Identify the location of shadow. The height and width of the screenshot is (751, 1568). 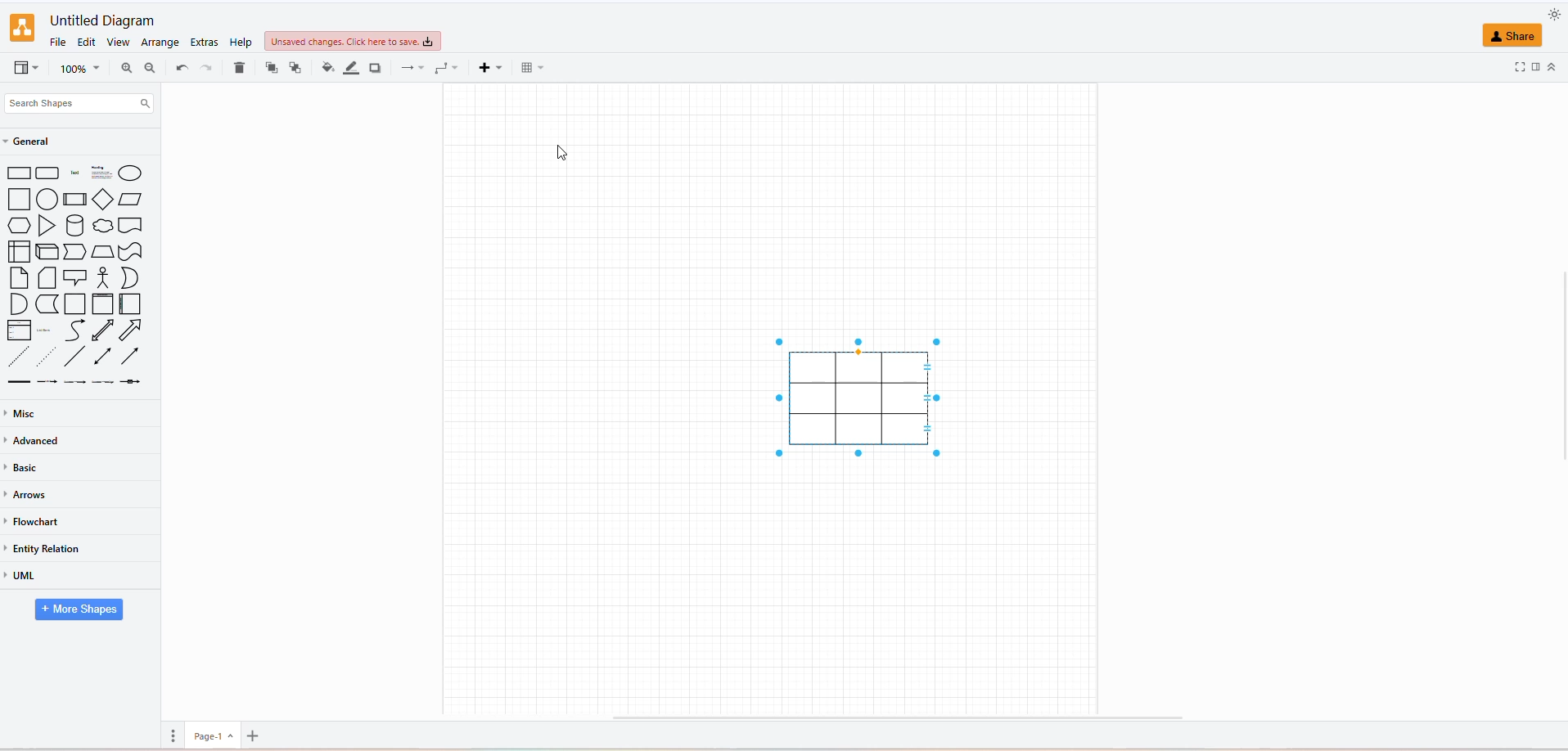
(376, 69).